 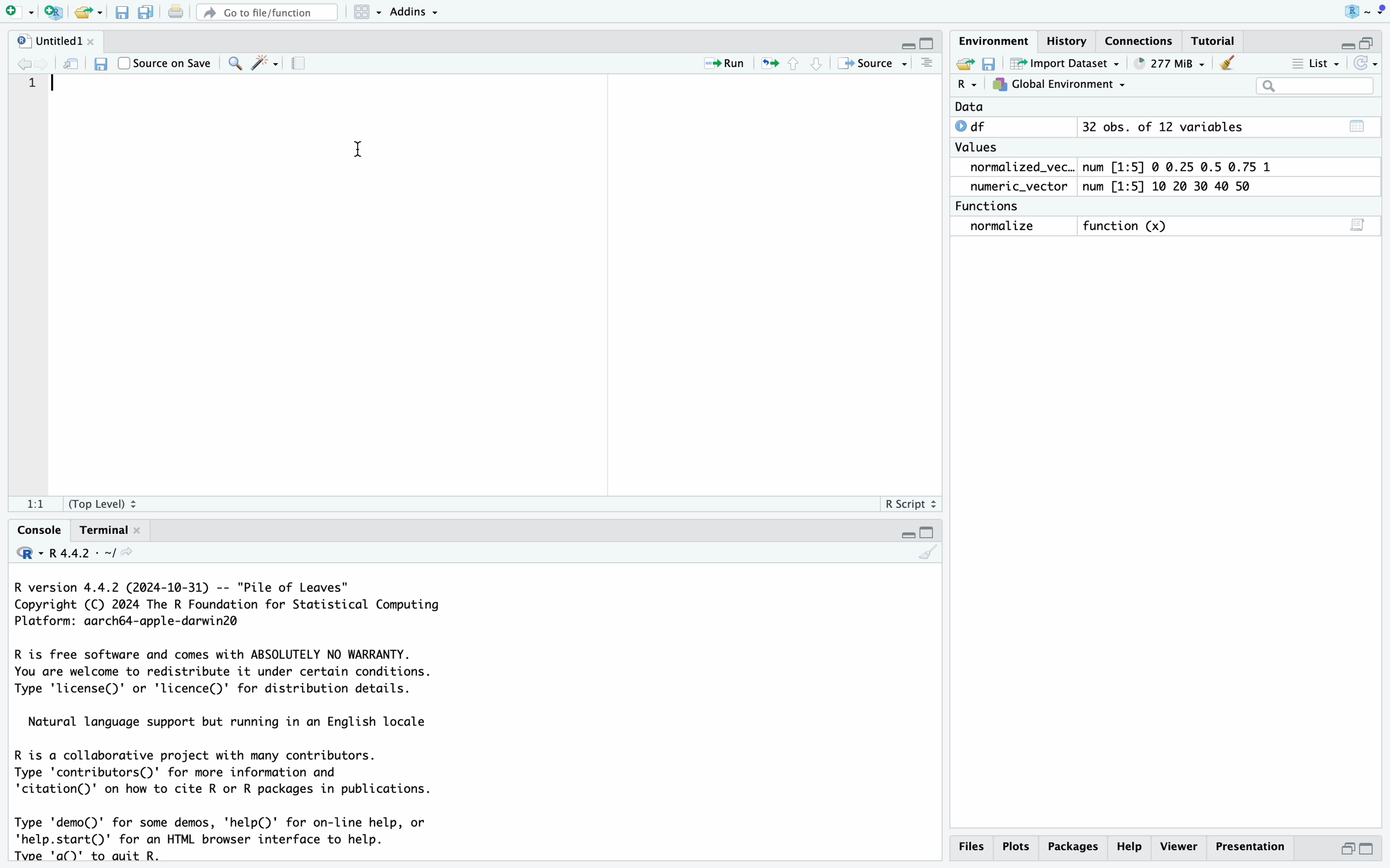 What do you see at coordinates (360, 145) in the screenshot?
I see `CURSOR` at bounding box center [360, 145].